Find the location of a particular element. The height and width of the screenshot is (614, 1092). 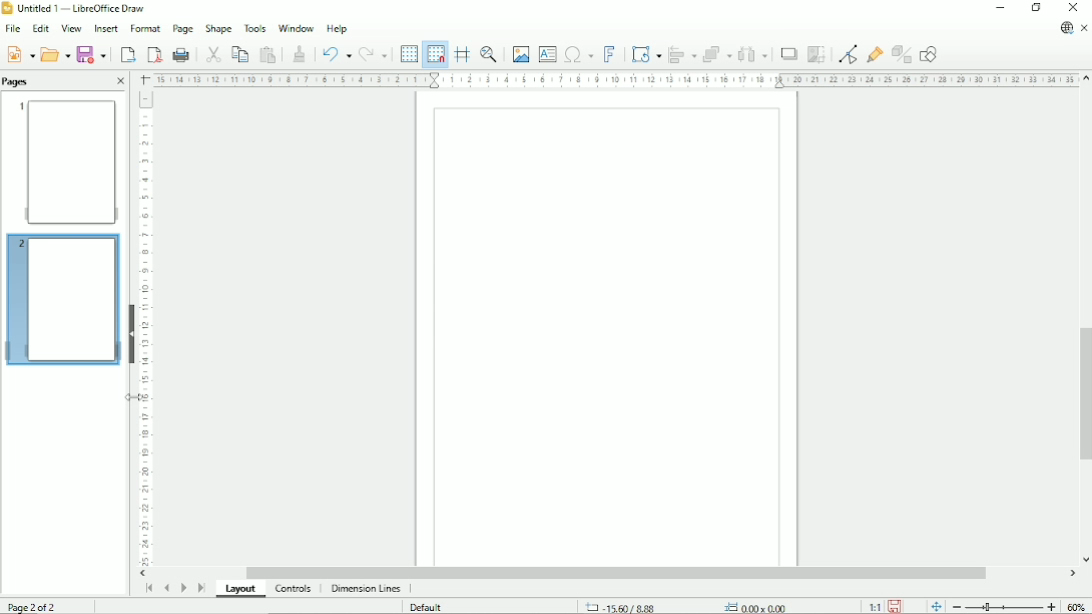

Open is located at coordinates (55, 53).